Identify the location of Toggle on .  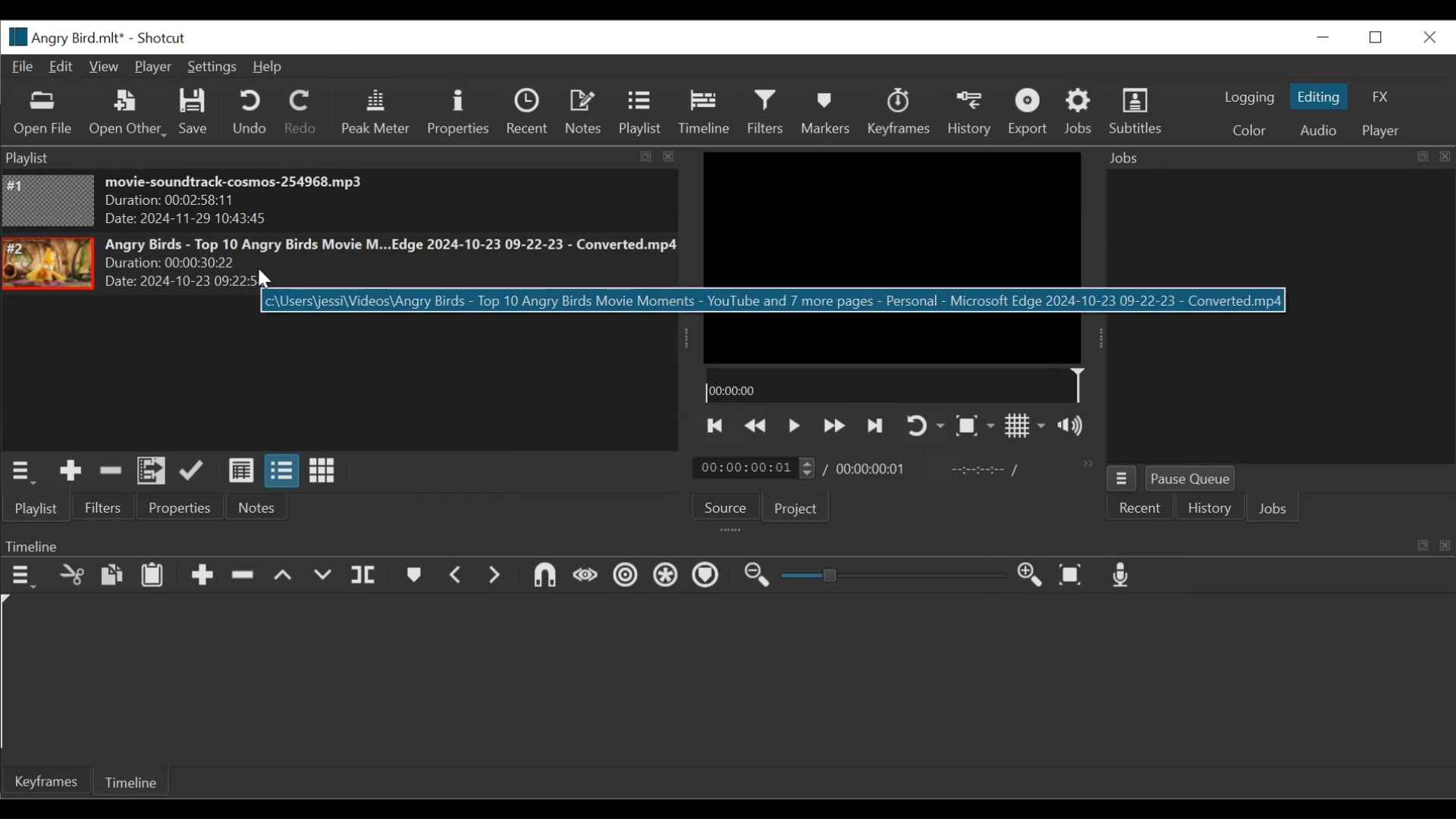
(927, 425).